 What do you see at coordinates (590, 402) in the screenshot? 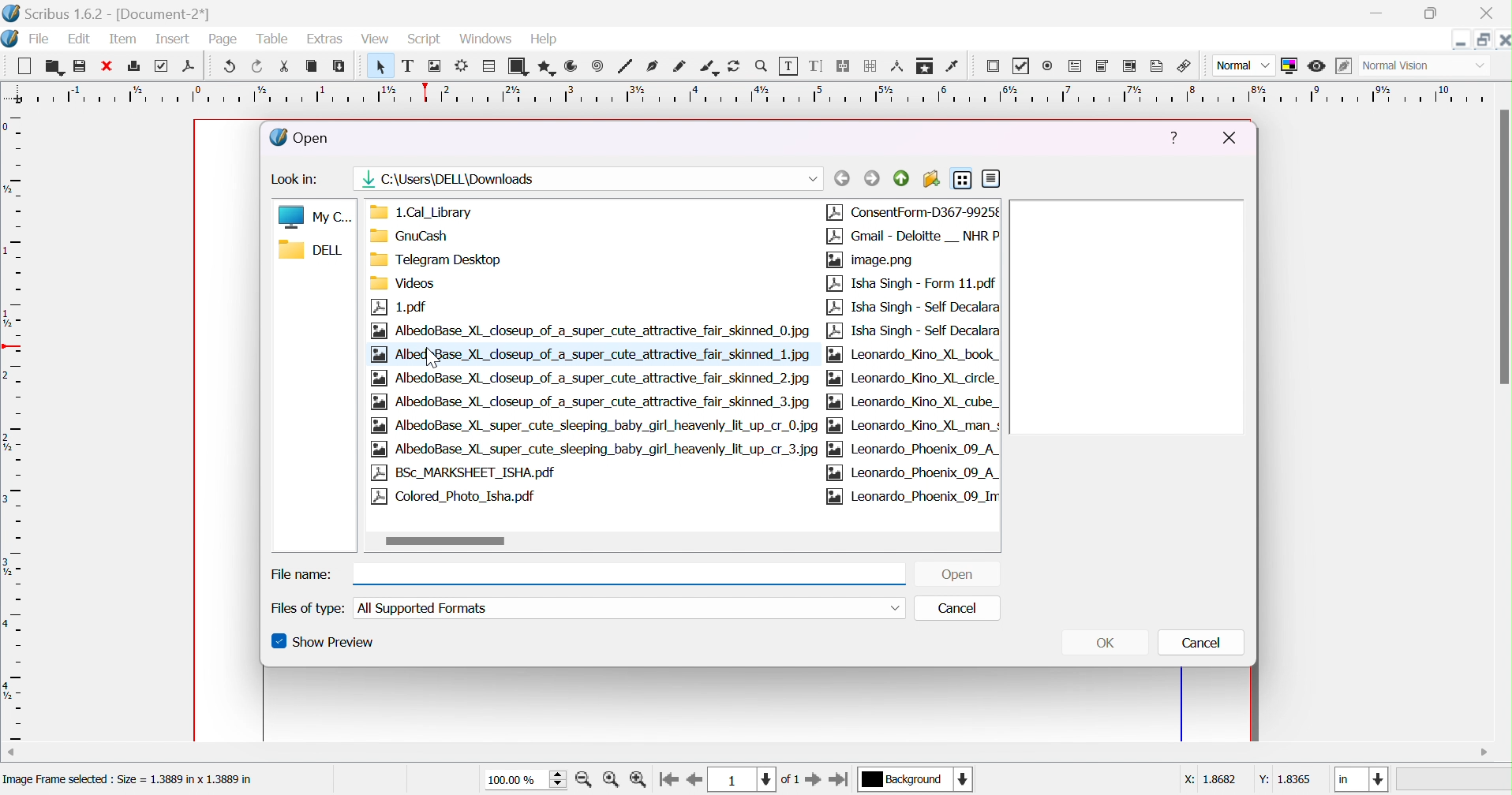
I see `AlbedoBase_XL_closeup_of_a_super_cute_attractive_fair_skinned_3.jpg-` at bounding box center [590, 402].